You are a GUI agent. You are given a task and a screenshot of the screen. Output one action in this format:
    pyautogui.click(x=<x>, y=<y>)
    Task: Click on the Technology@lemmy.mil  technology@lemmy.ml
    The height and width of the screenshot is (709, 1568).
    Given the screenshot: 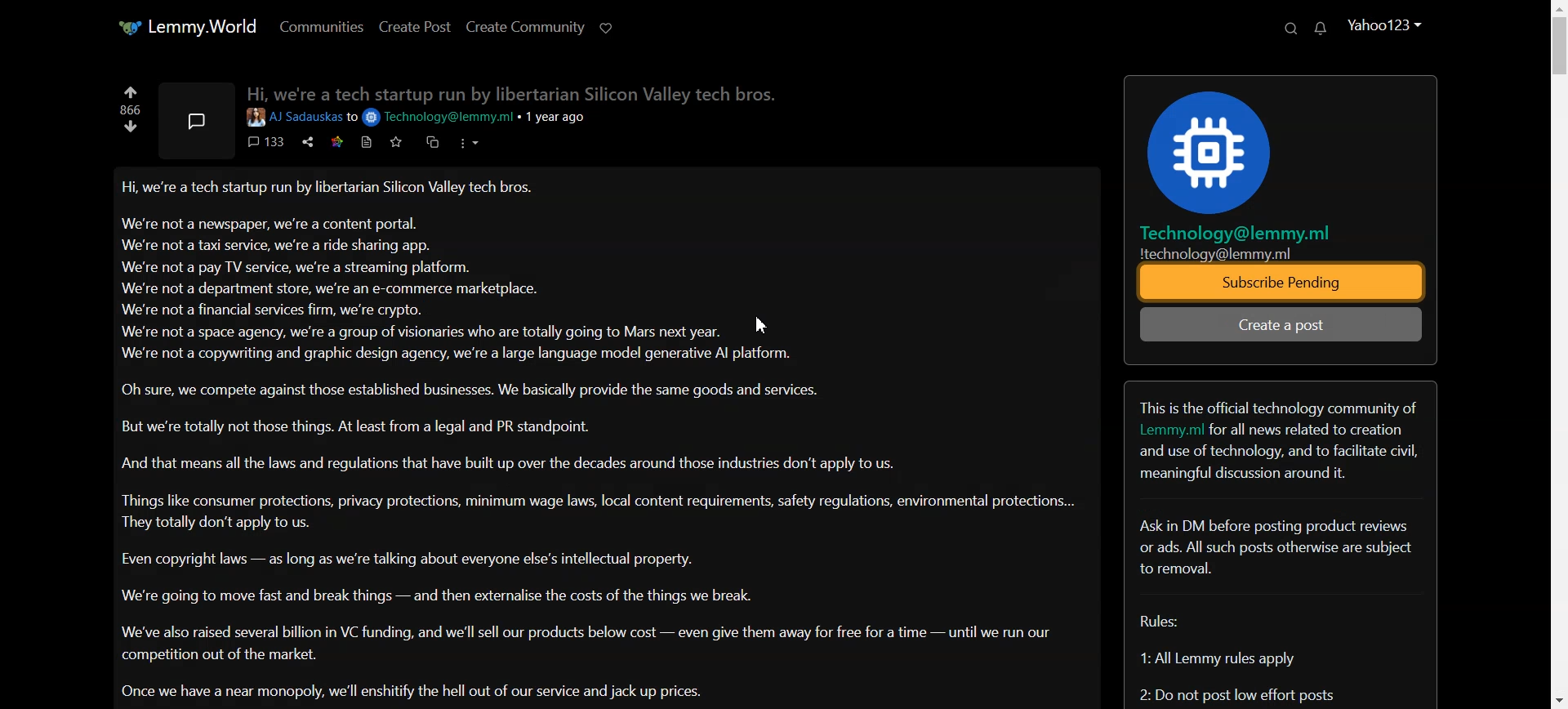 What is the action you would take?
    pyautogui.click(x=1263, y=242)
    